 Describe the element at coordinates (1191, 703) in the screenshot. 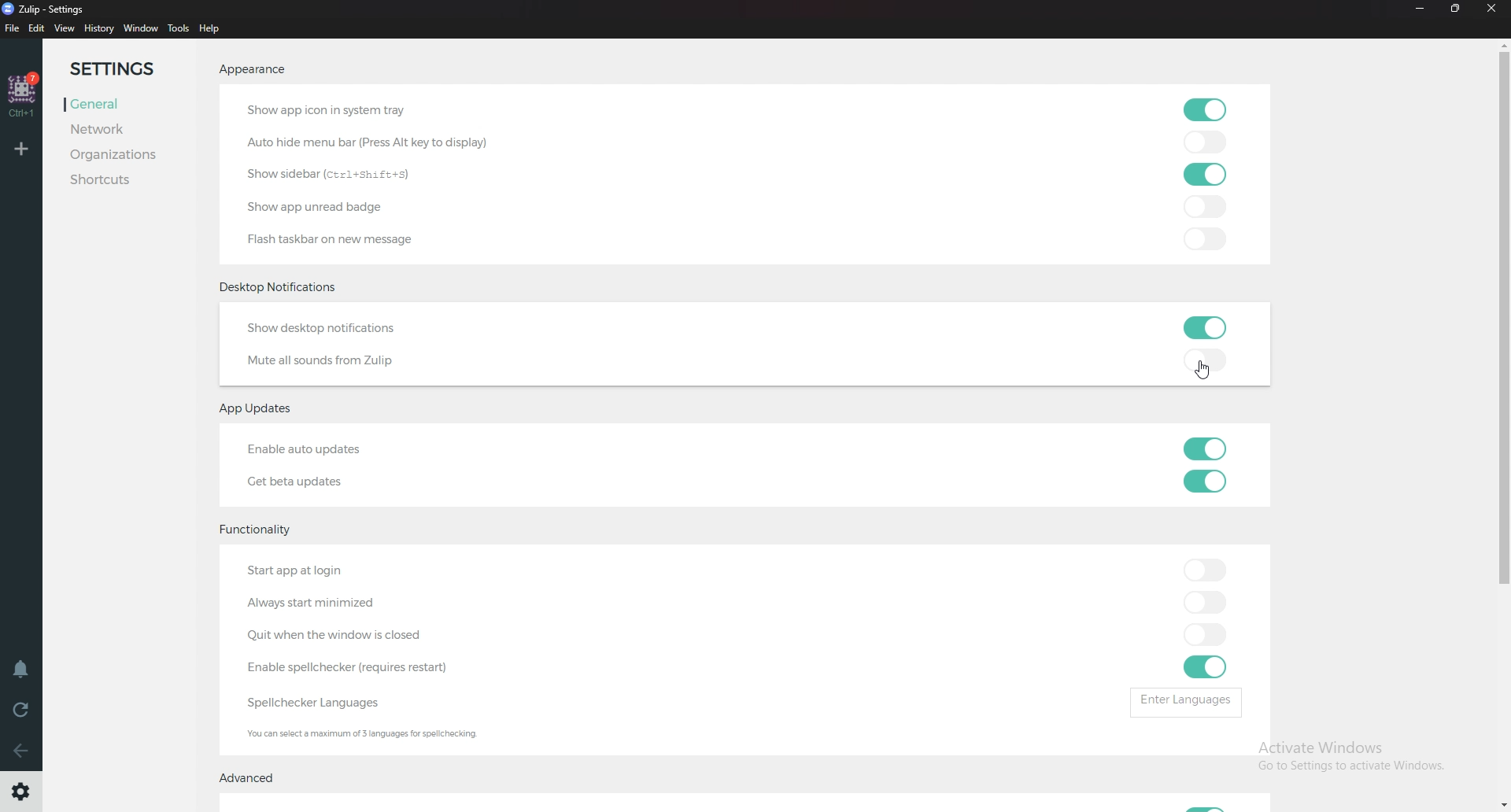

I see `Enter languages` at that location.